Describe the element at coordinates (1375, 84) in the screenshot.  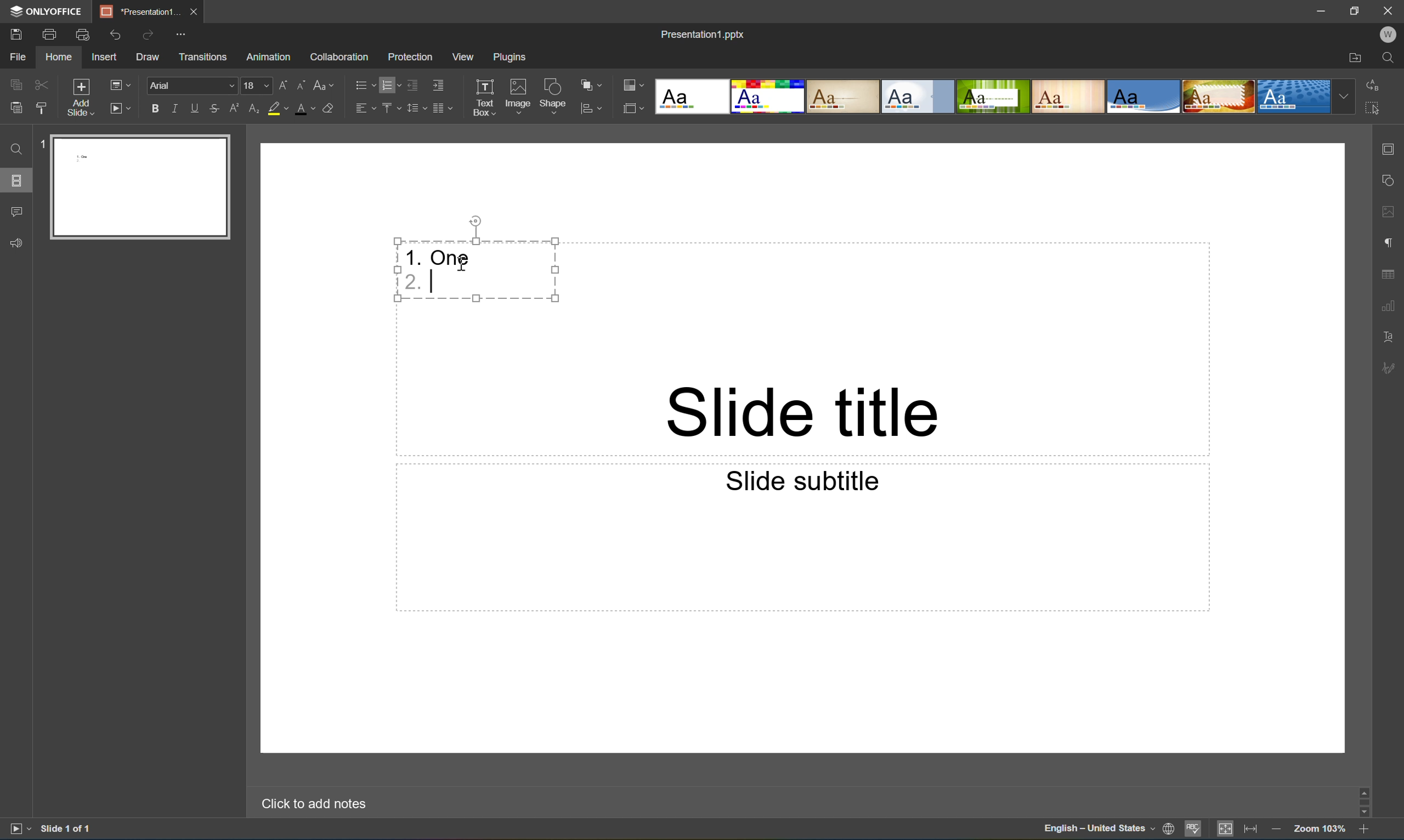
I see `Replace` at that location.